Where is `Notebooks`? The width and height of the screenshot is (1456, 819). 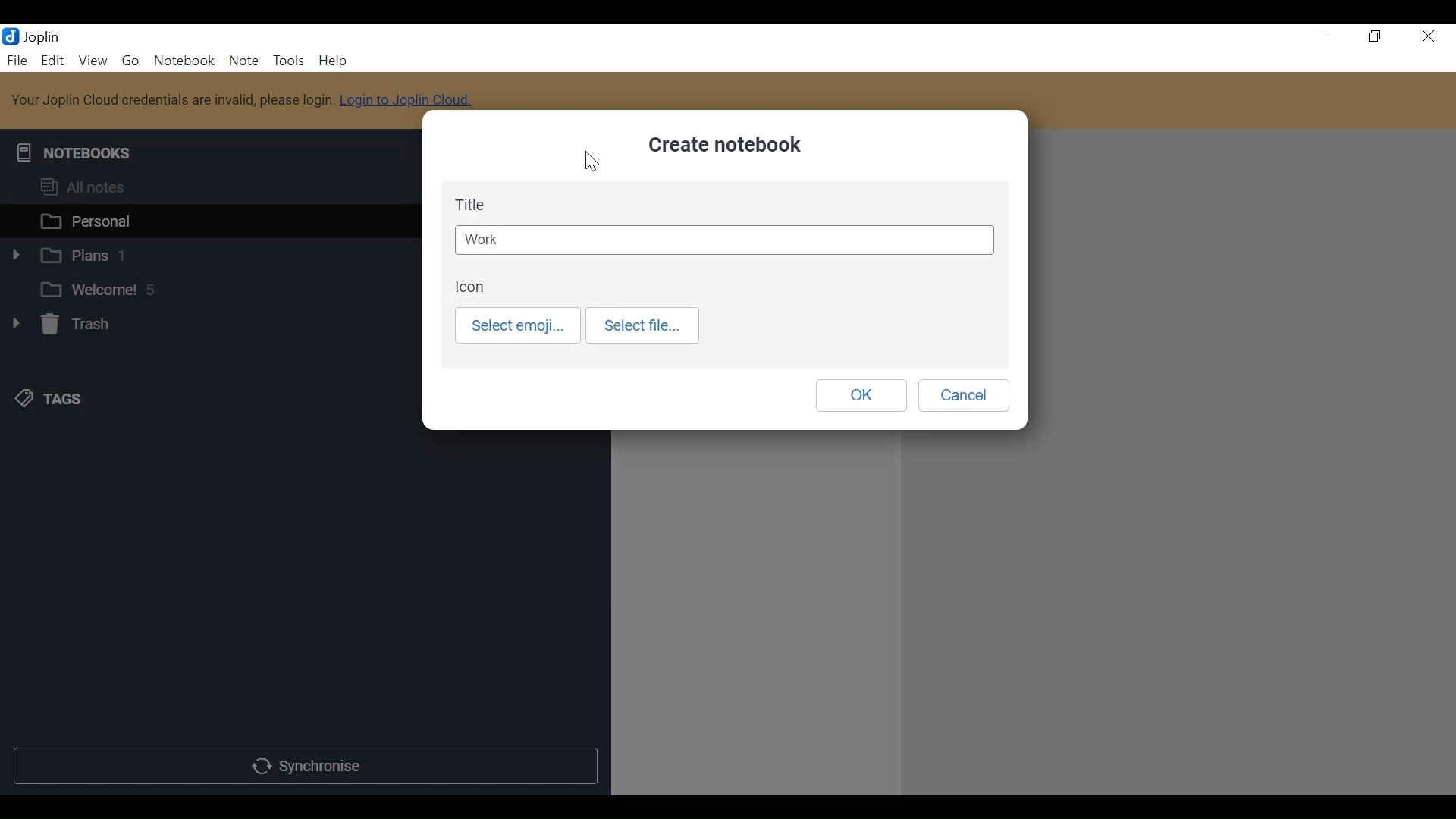
Notebooks is located at coordinates (78, 154).